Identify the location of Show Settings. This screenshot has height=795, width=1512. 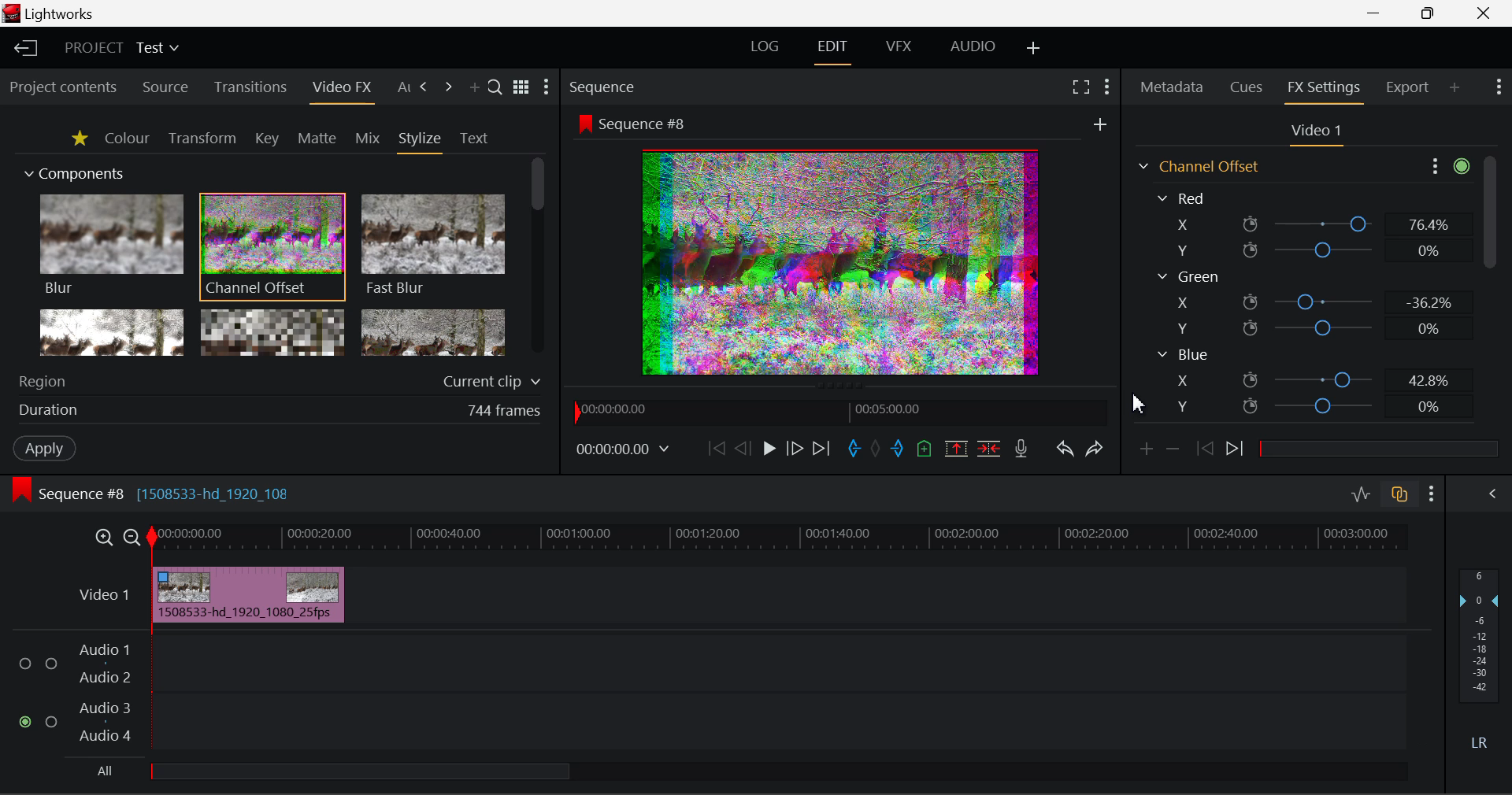
(1498, 87).